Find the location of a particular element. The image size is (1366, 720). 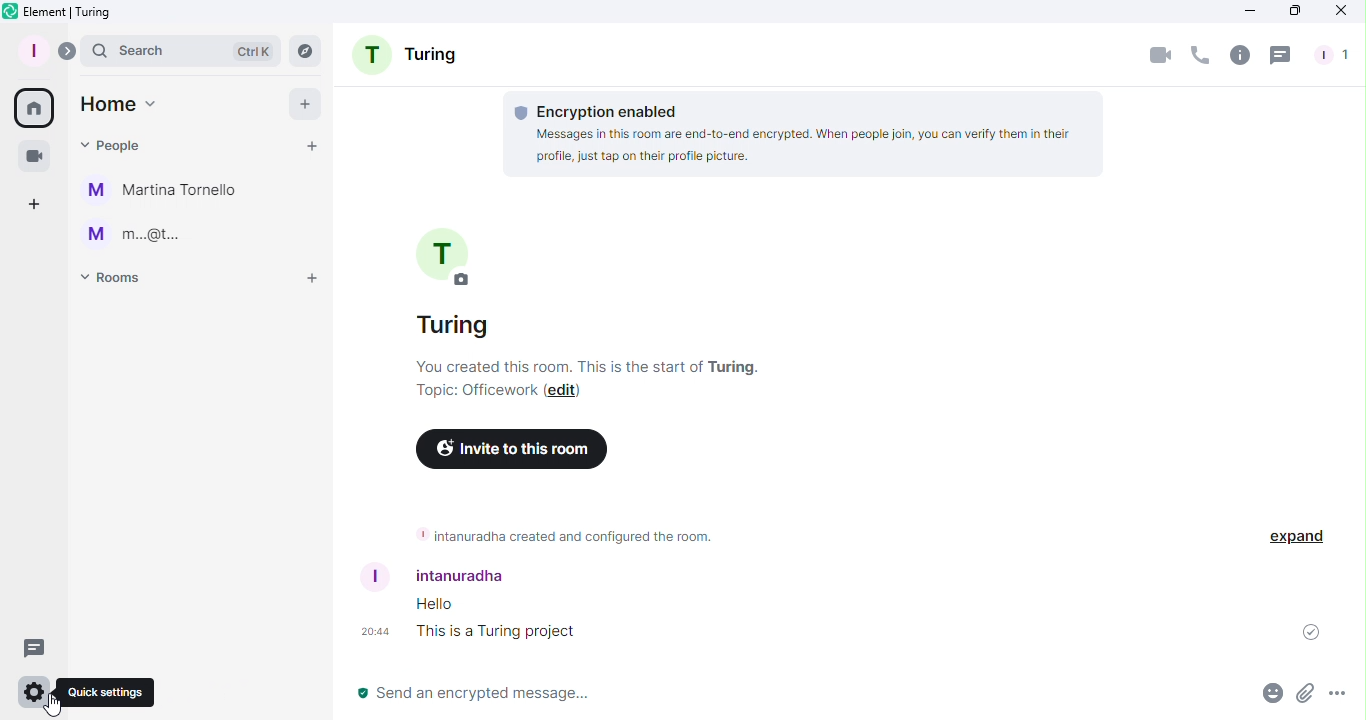

Expand is located at coordinates (66, 48).